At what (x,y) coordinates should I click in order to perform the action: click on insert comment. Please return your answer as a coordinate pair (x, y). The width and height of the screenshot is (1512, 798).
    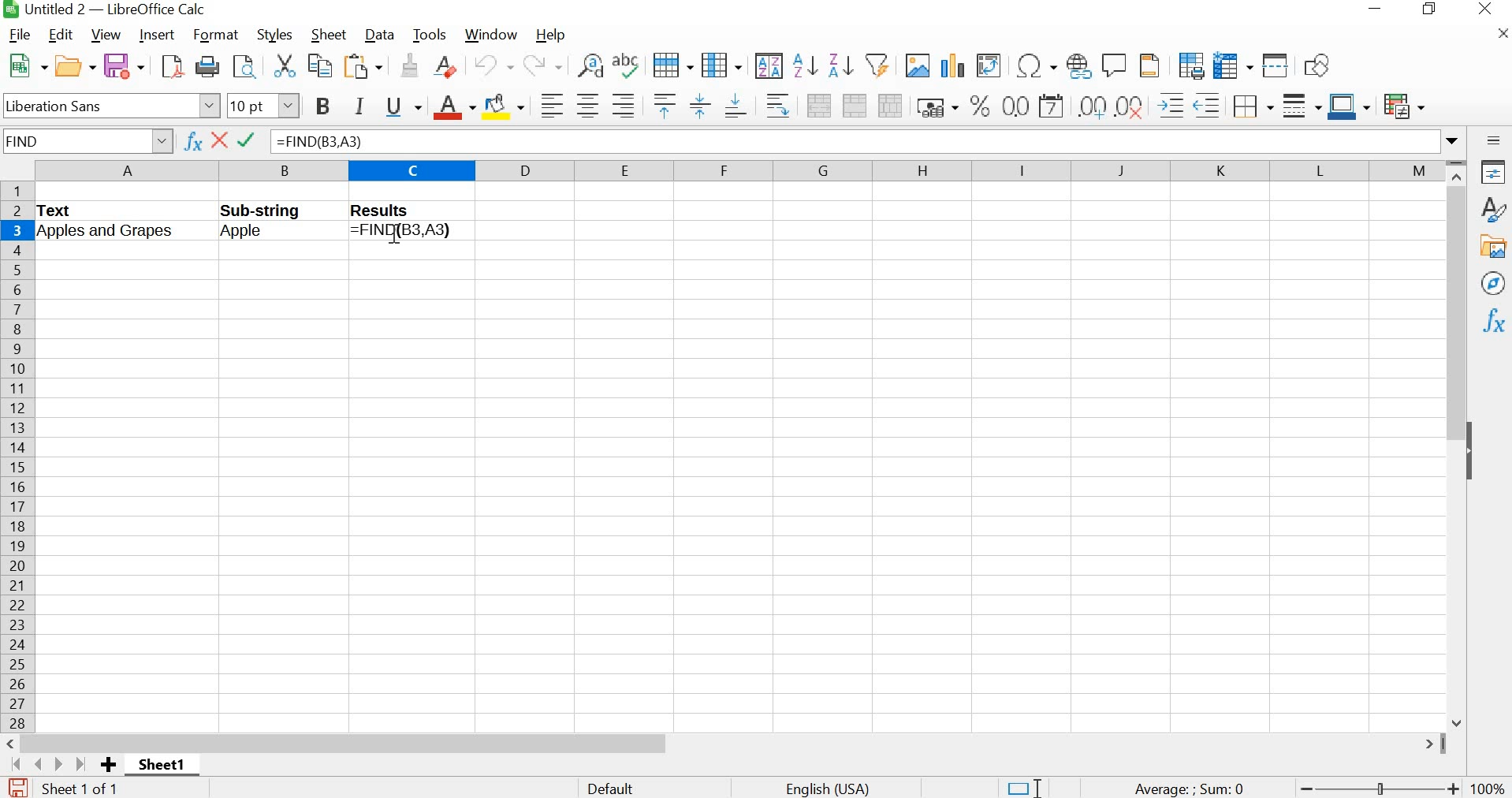
    Looking at the image, I should click on (1115, 64).